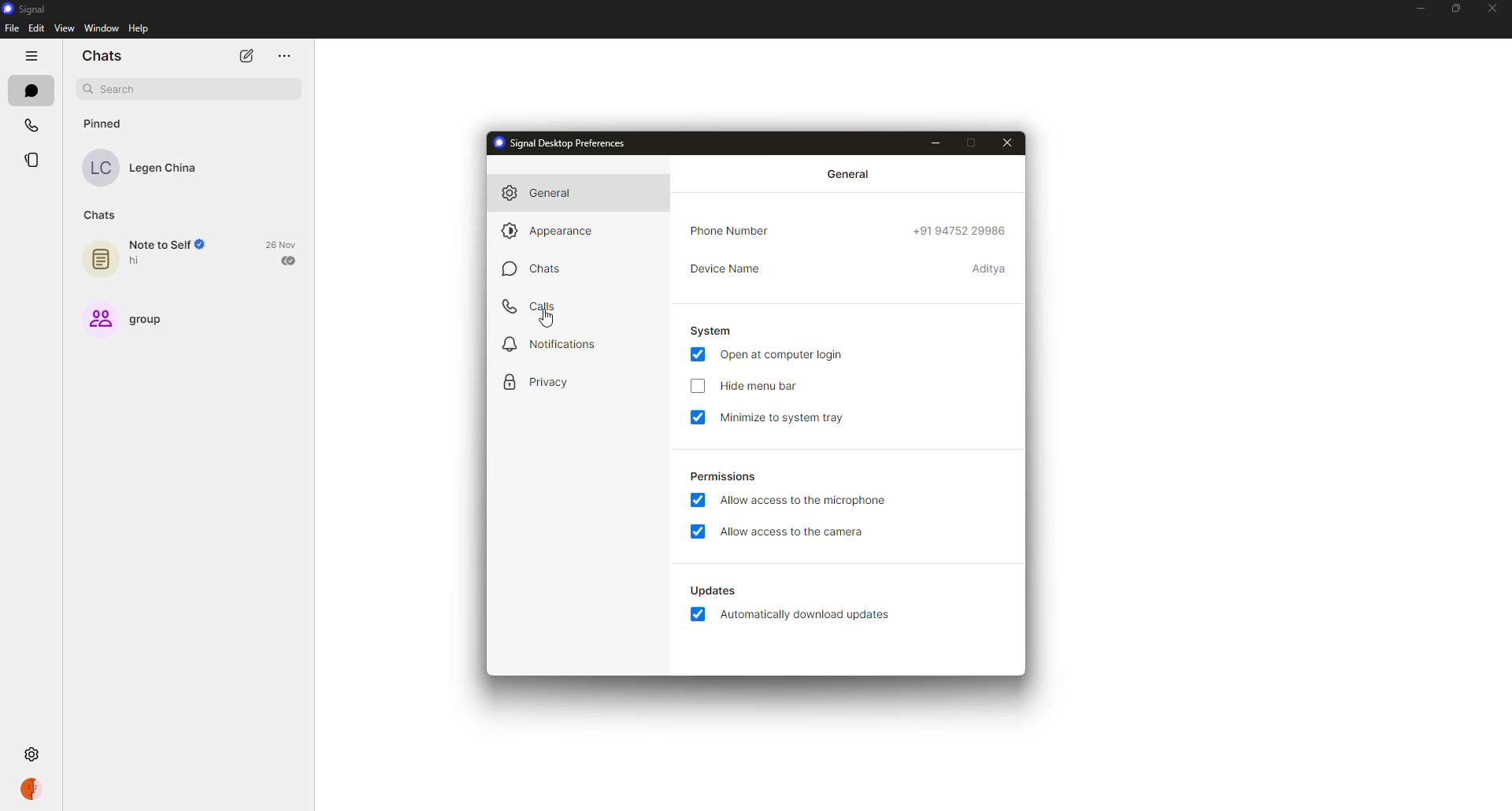 Image resolution: width=1512 pixels, height=811 pixels. What do you see at coordinates (246, 56) in the screenshot?
I see `new chat` at bounding box center [246, 56].